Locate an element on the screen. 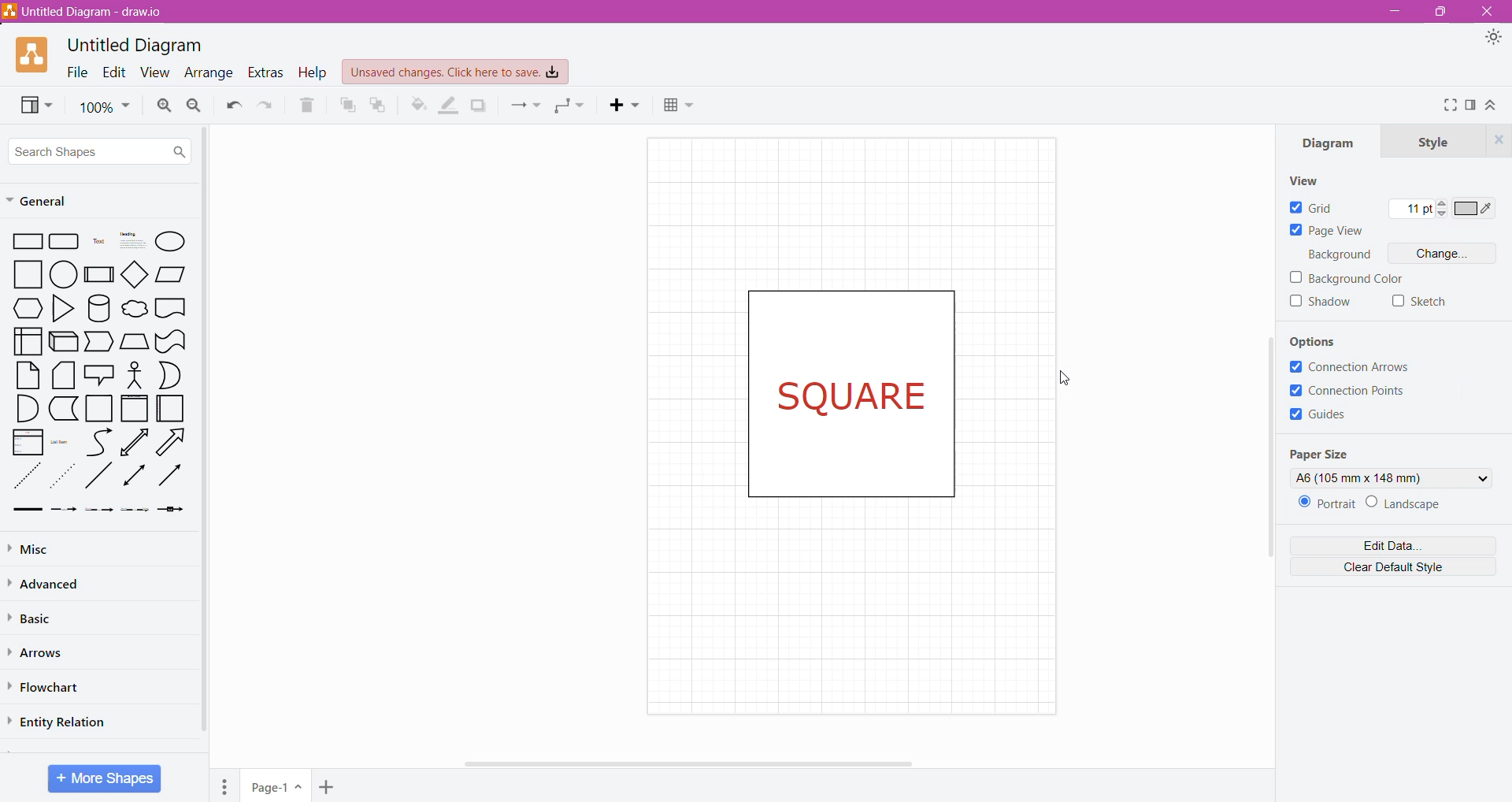 Image resolution: width=1512 pixels, height=802 pixels. Shadow is located at coordinates (482, 106).